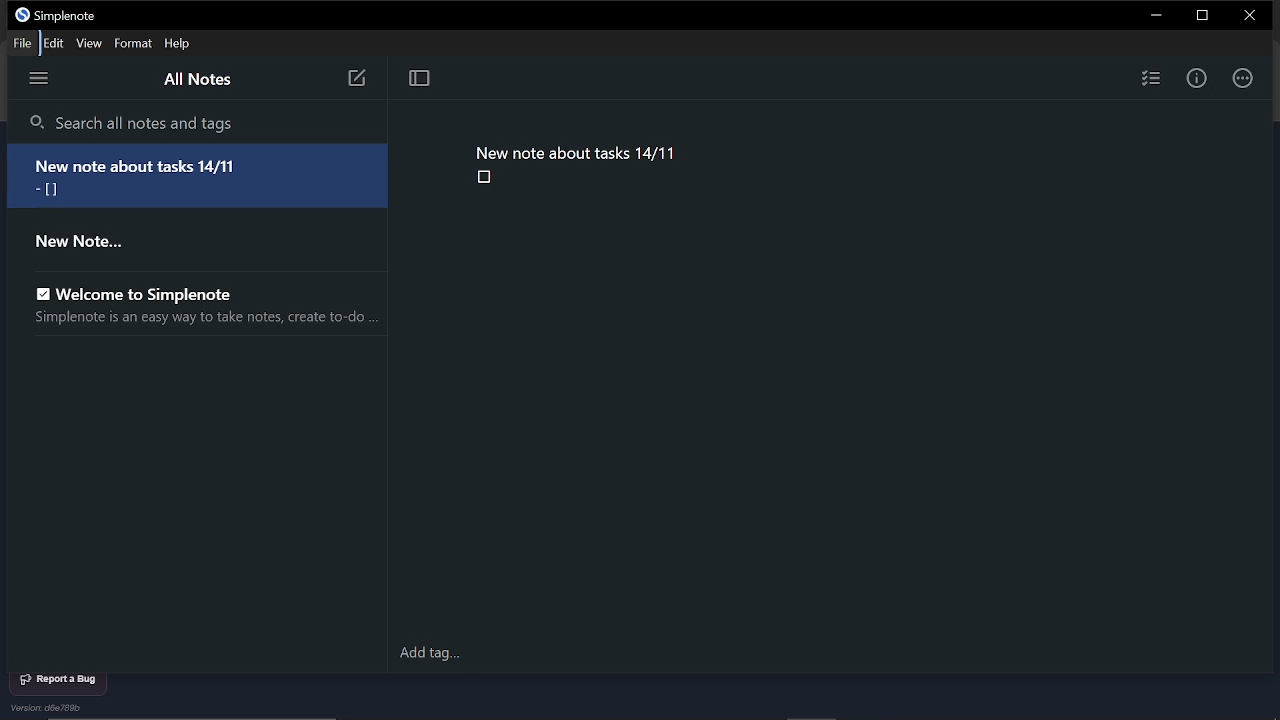 This screenshot has width=1280, height=720. I want to click on New note about tasks 14/11
= [i], so click(203, 176).